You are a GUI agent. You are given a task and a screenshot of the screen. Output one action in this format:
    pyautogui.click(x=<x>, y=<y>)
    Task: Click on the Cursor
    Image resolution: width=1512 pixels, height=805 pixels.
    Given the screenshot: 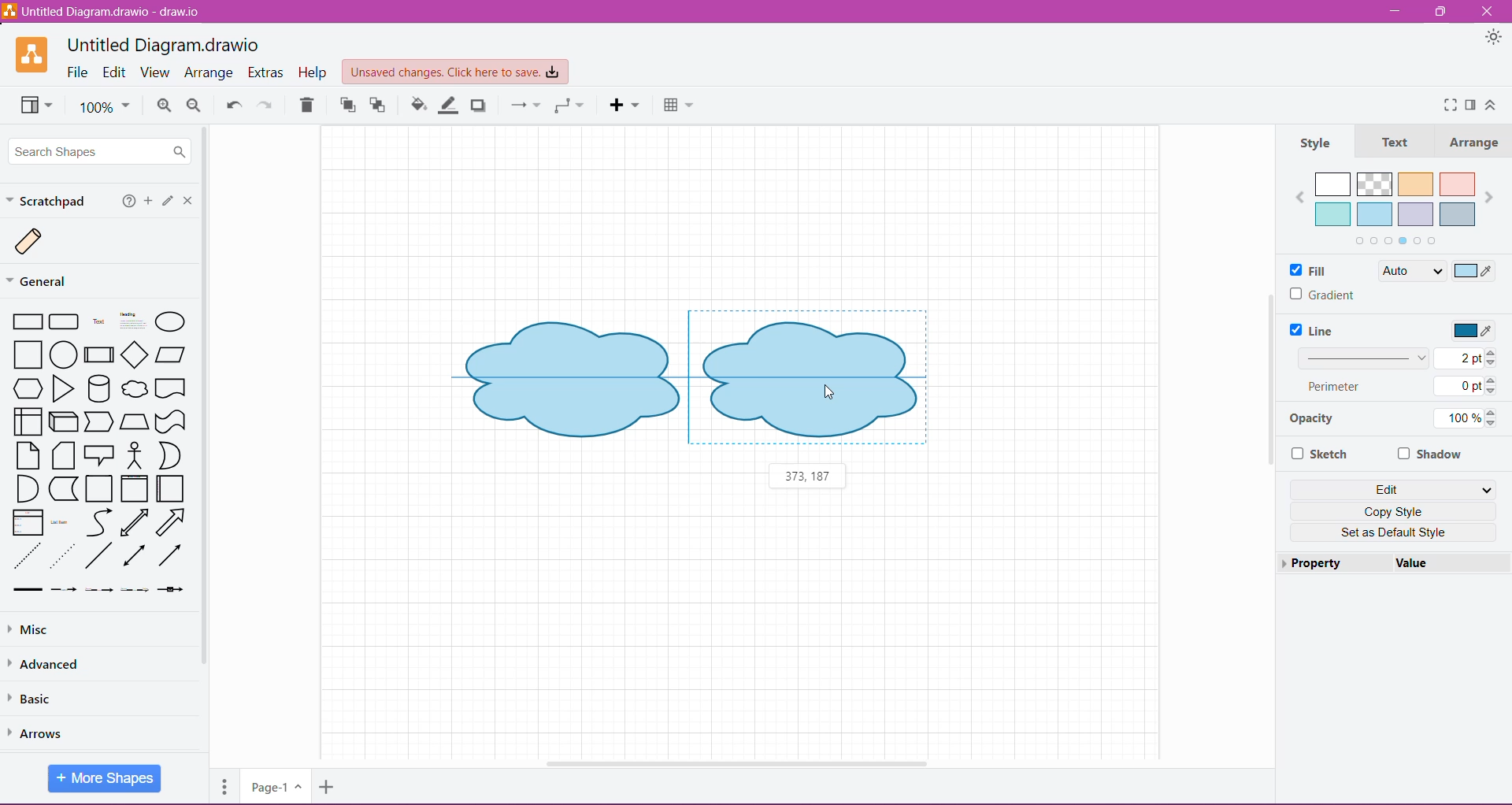 What is the action you would take?
    pyautogui.click(x=830, y=391)
    